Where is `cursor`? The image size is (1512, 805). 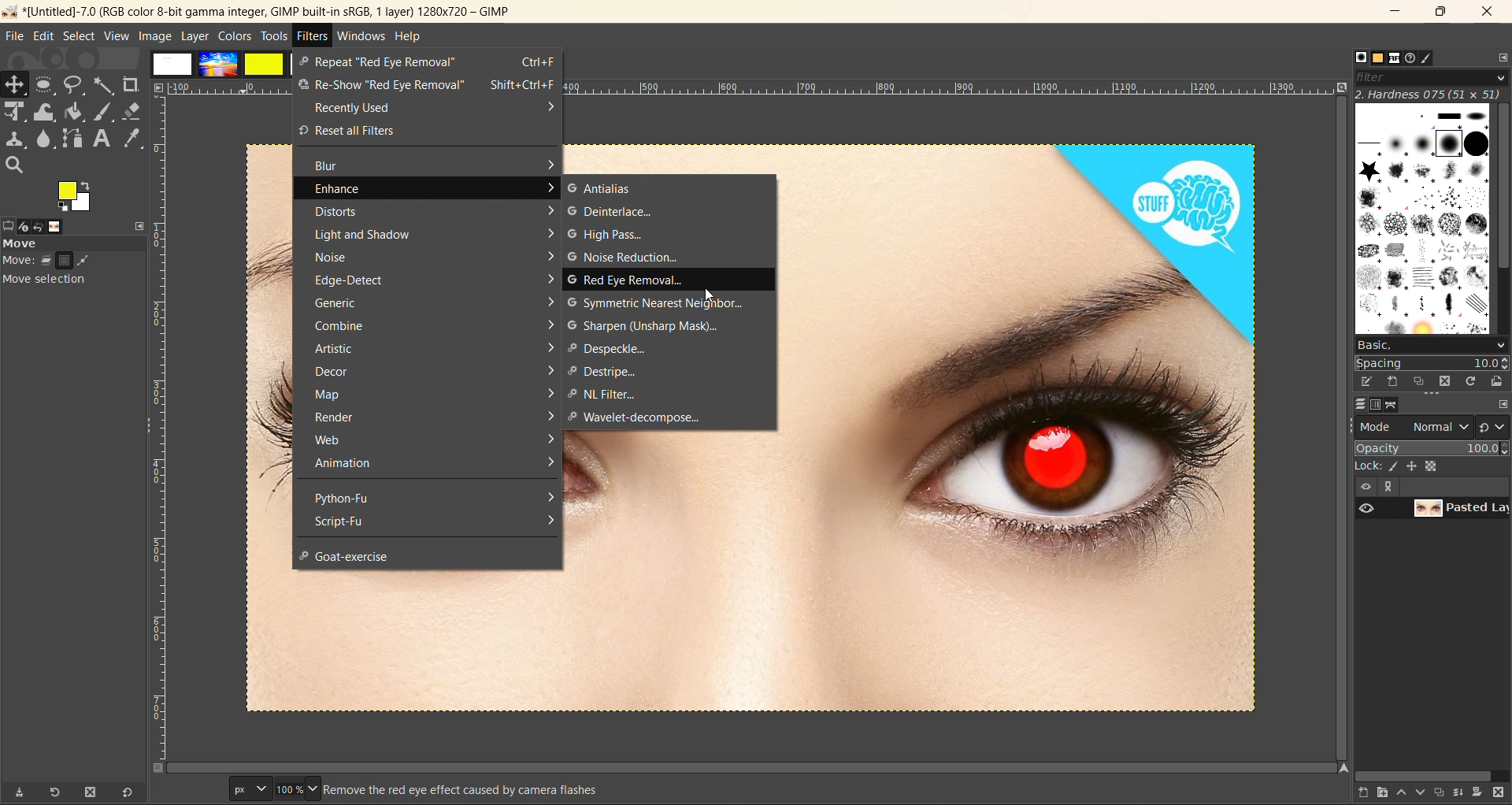 cursor is located at coordinates (710, 295).